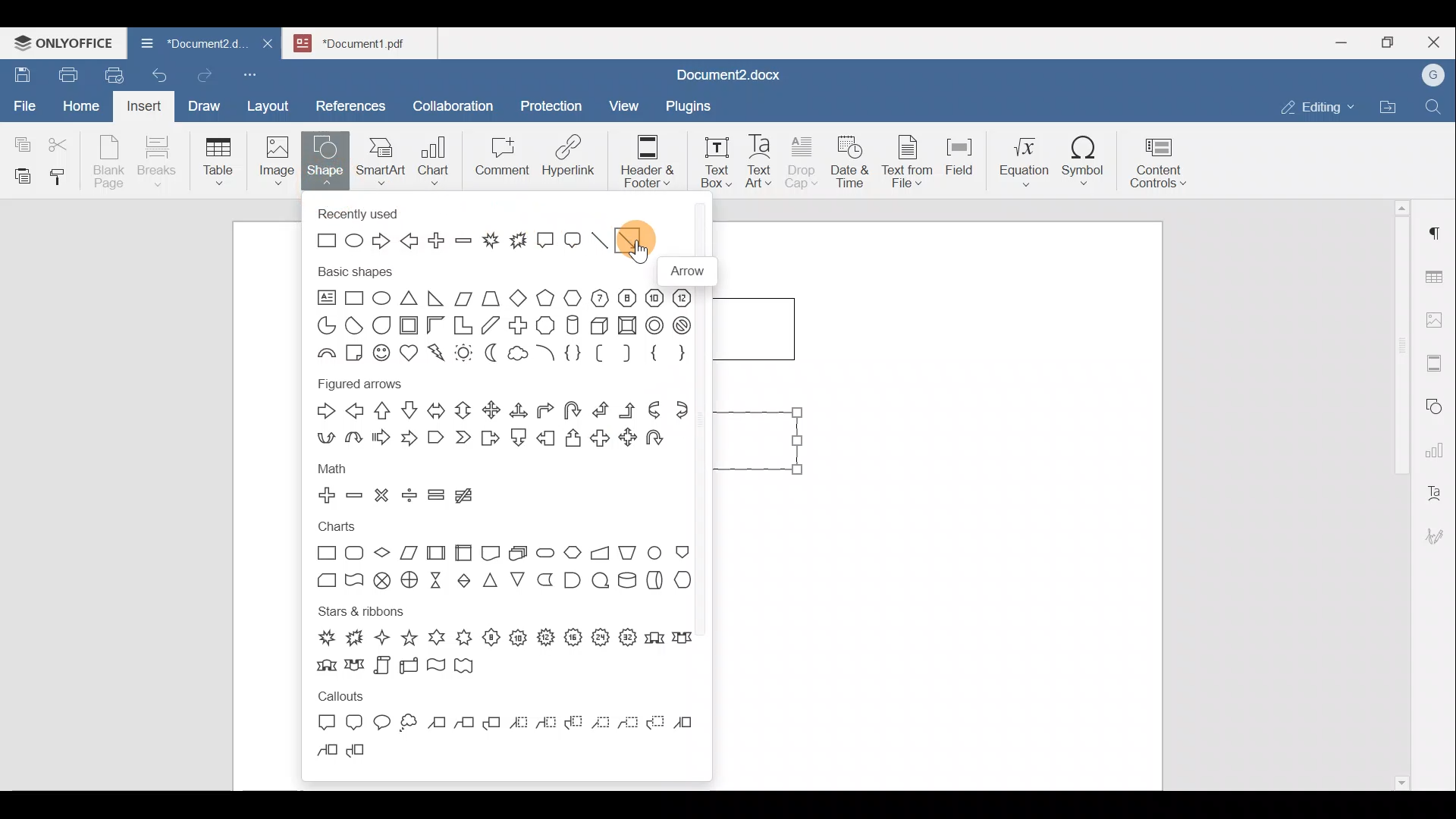 Image resolution: width=1456 pixels, height=819 pixels. What do you see at coordinates (1429, 76) in the screenshot?
I see `Account name` at bounding box center [1429, 76].